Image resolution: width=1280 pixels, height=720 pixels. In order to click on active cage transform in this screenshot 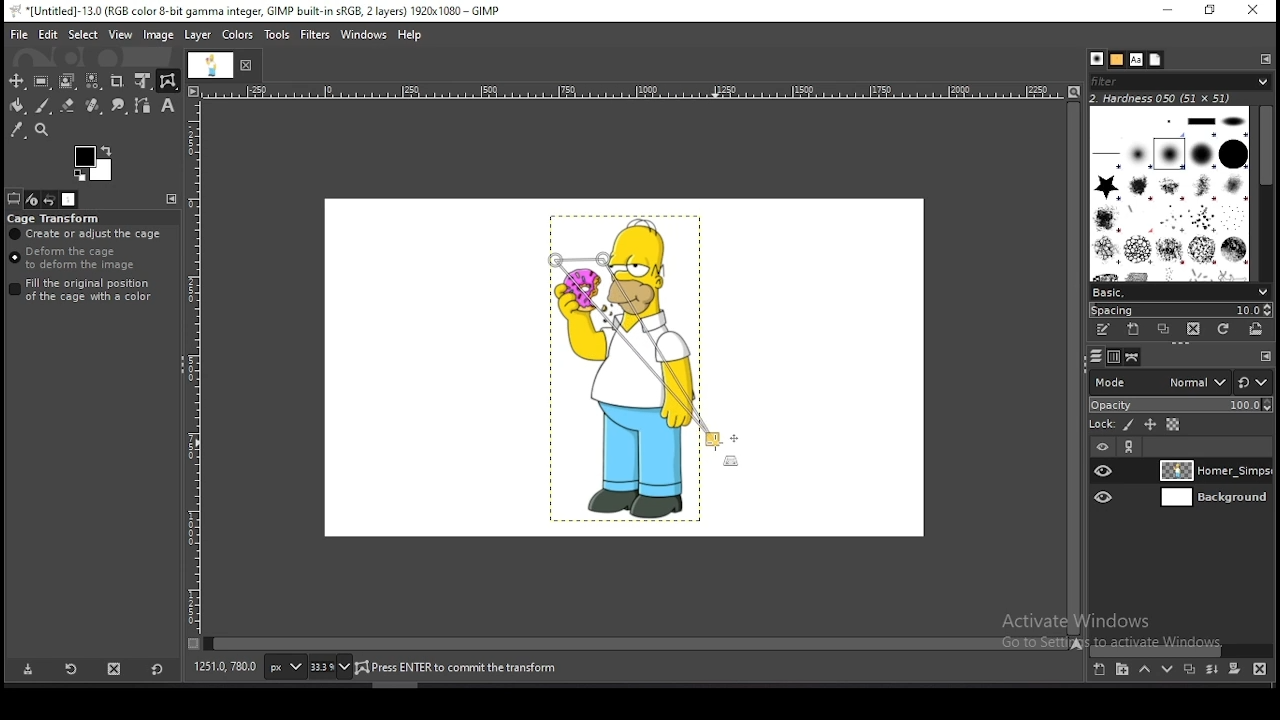, I will do `click(649, 361)`.